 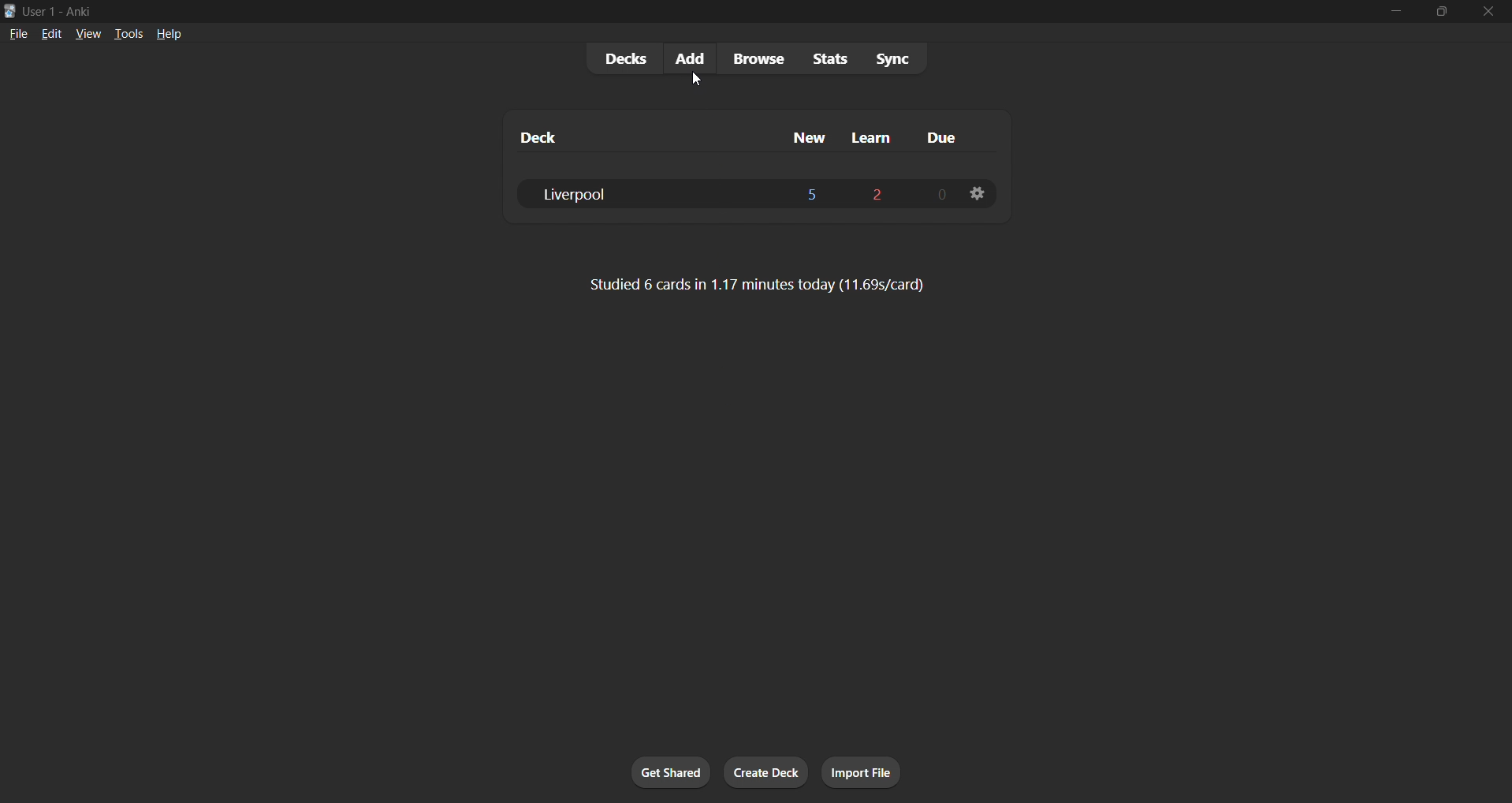 What do you see at coordinates (1490, 13) in the screenshot?
I see `close` at bounding box center [1490, 13].